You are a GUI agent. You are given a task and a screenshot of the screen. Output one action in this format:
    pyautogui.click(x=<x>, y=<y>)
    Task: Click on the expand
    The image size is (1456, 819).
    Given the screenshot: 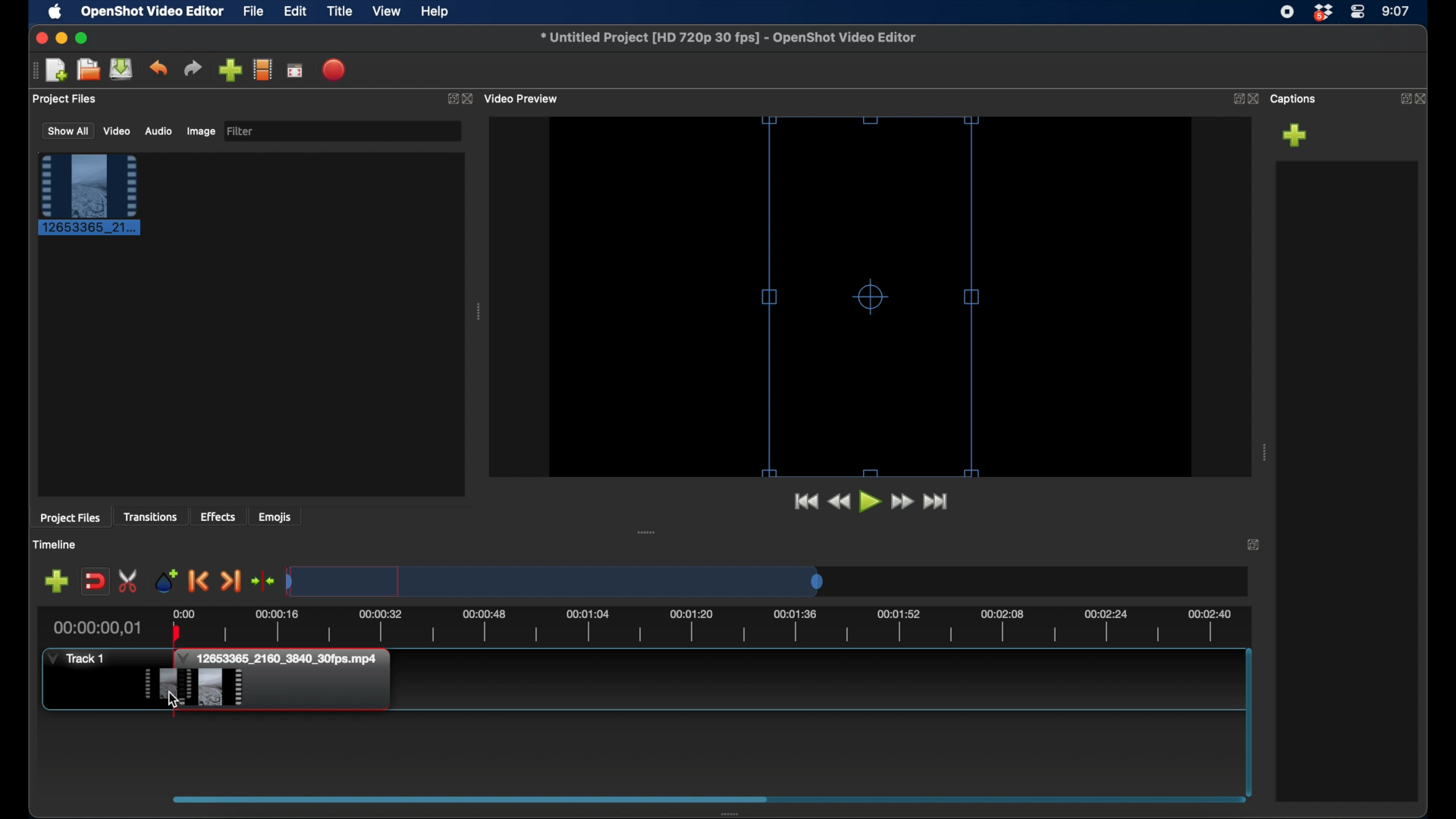 What is the action you would take?
    pyautogui.click(x=1401, y=98)
    